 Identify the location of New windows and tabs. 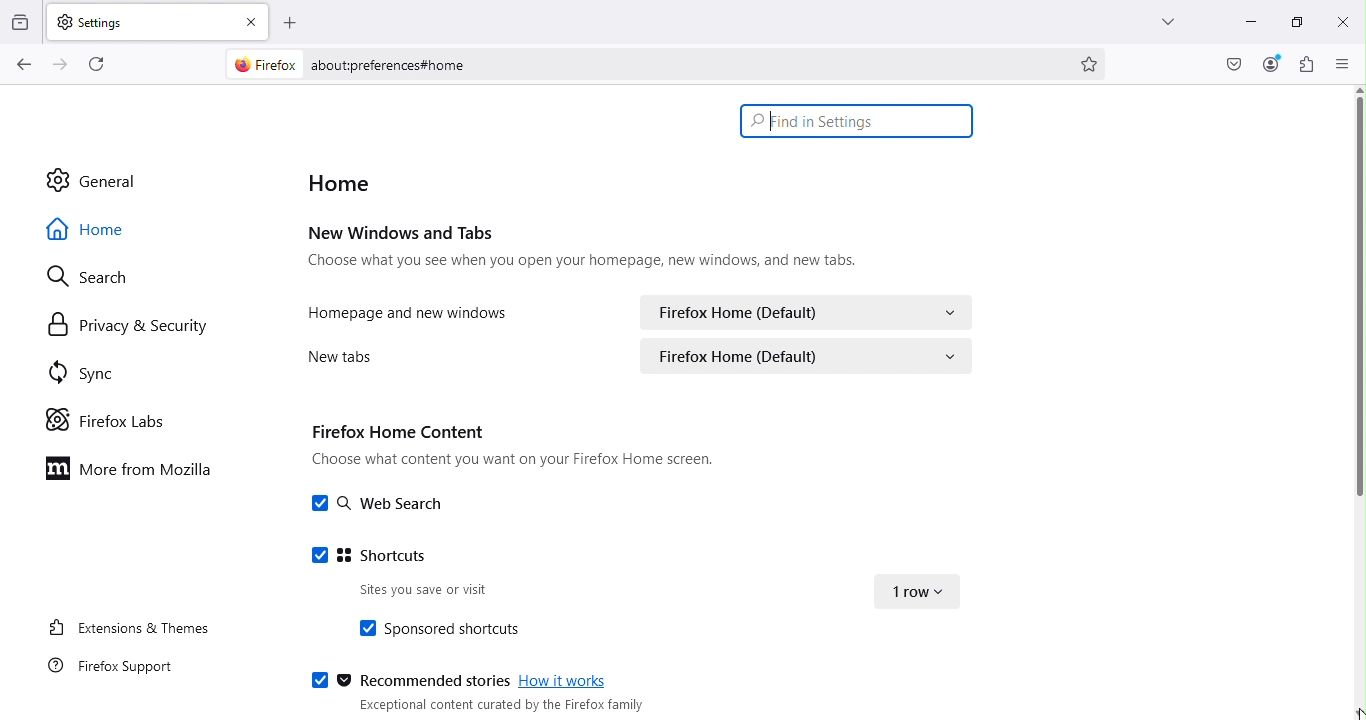
(588, 249).